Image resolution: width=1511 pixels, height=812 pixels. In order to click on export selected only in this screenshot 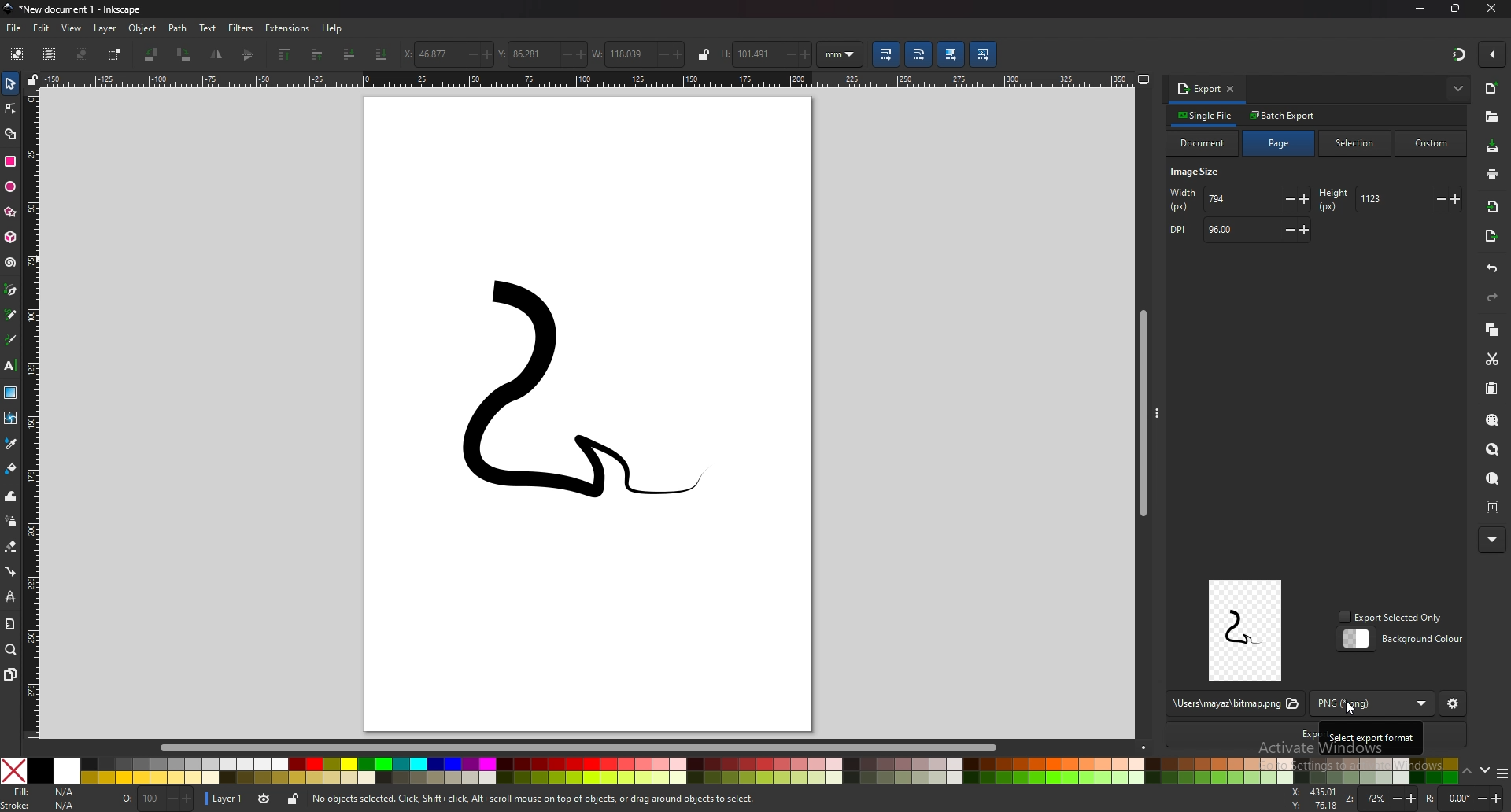, I will do `click(1393, 618)`.